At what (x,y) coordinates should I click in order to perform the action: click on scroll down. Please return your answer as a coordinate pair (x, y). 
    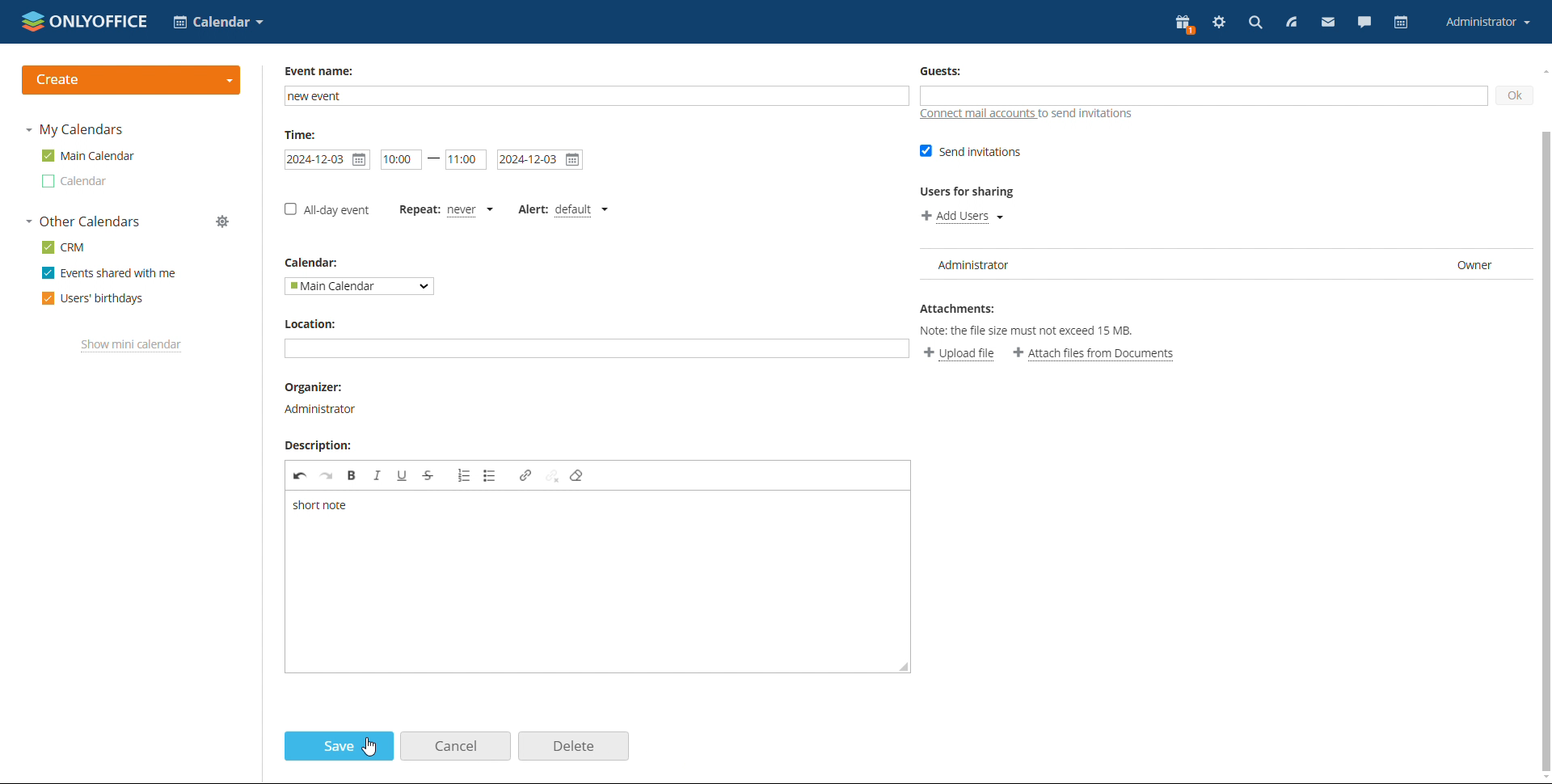
    Looking at the image, I should click on (1542, 777).